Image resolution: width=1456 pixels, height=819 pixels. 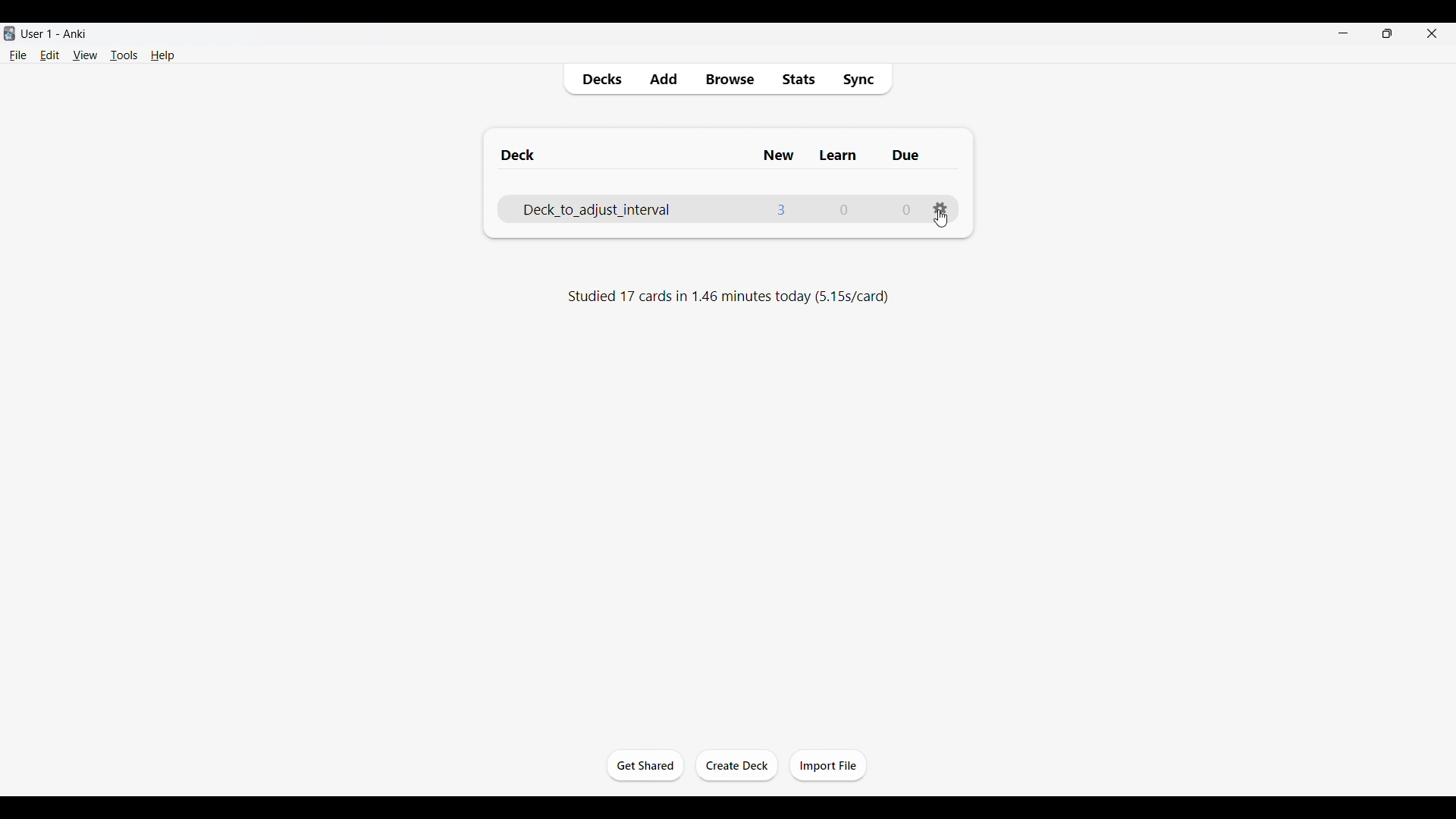 I want to click on New column, so click(x=779, y=158).